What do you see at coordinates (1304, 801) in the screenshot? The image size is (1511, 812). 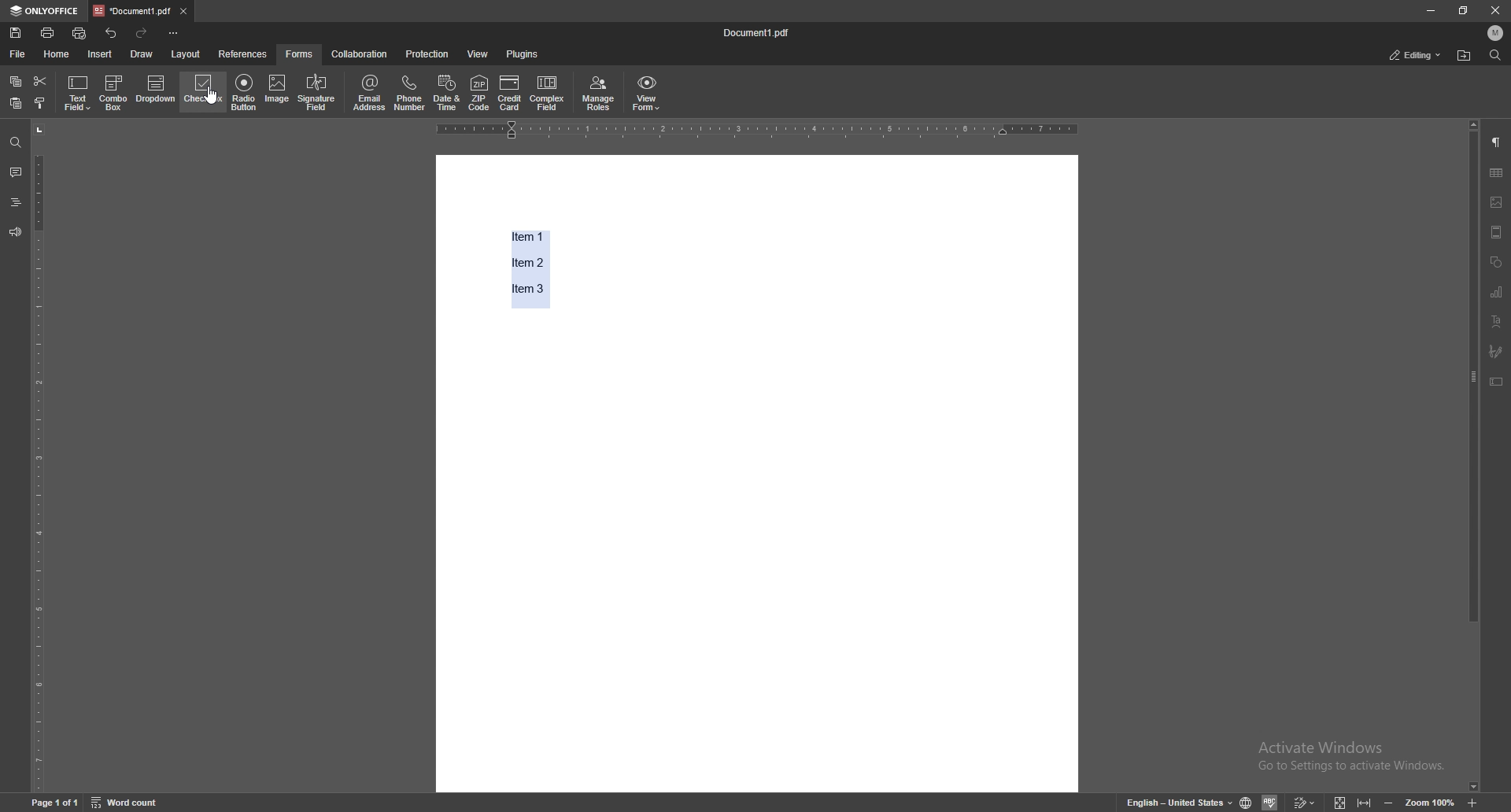 I see `track changes` at bounding box center [1304, 801].